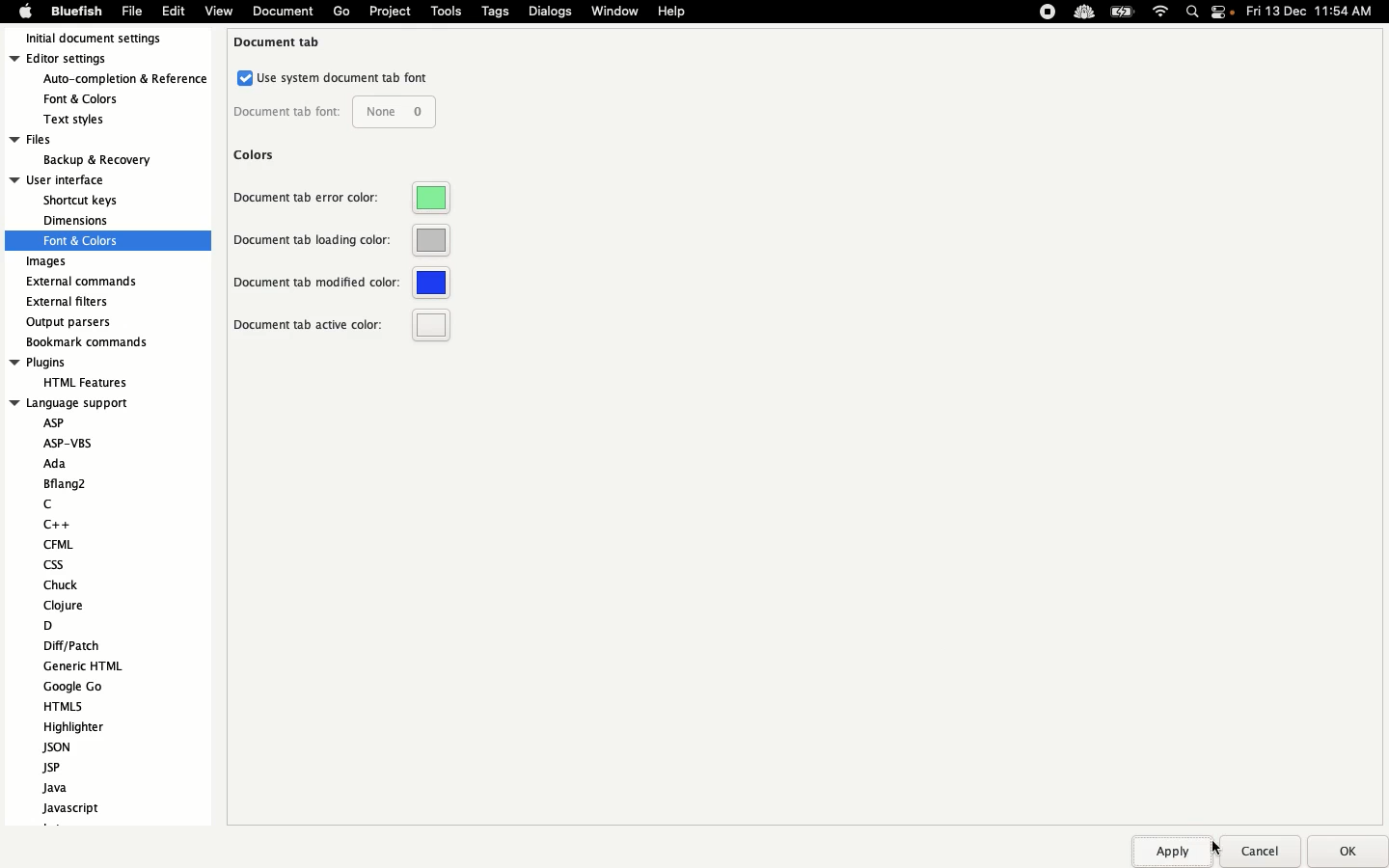  I want to click on document, so click(281, 13).